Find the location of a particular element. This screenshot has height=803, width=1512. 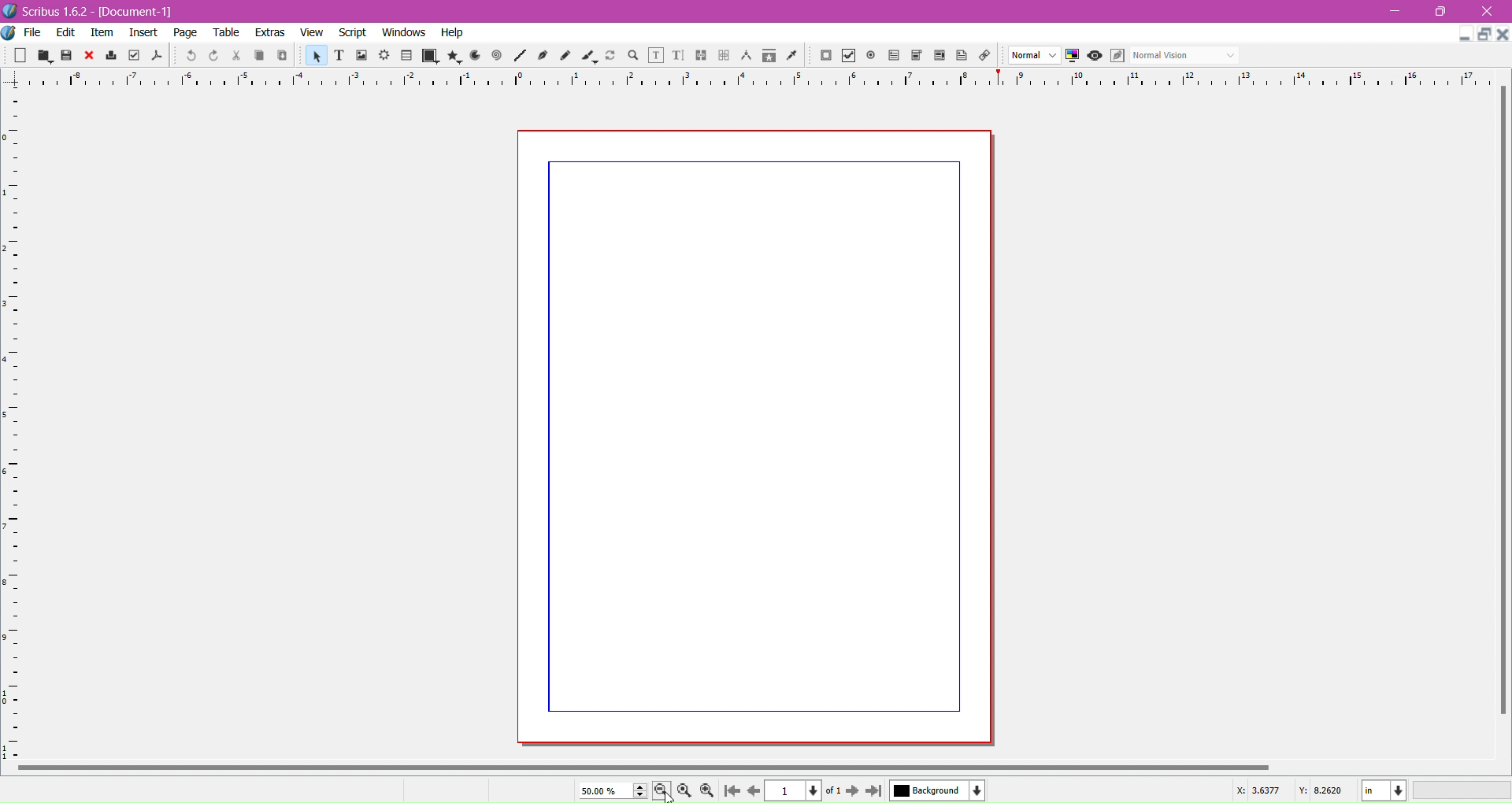

Undo is located at coordinates (190, 55).